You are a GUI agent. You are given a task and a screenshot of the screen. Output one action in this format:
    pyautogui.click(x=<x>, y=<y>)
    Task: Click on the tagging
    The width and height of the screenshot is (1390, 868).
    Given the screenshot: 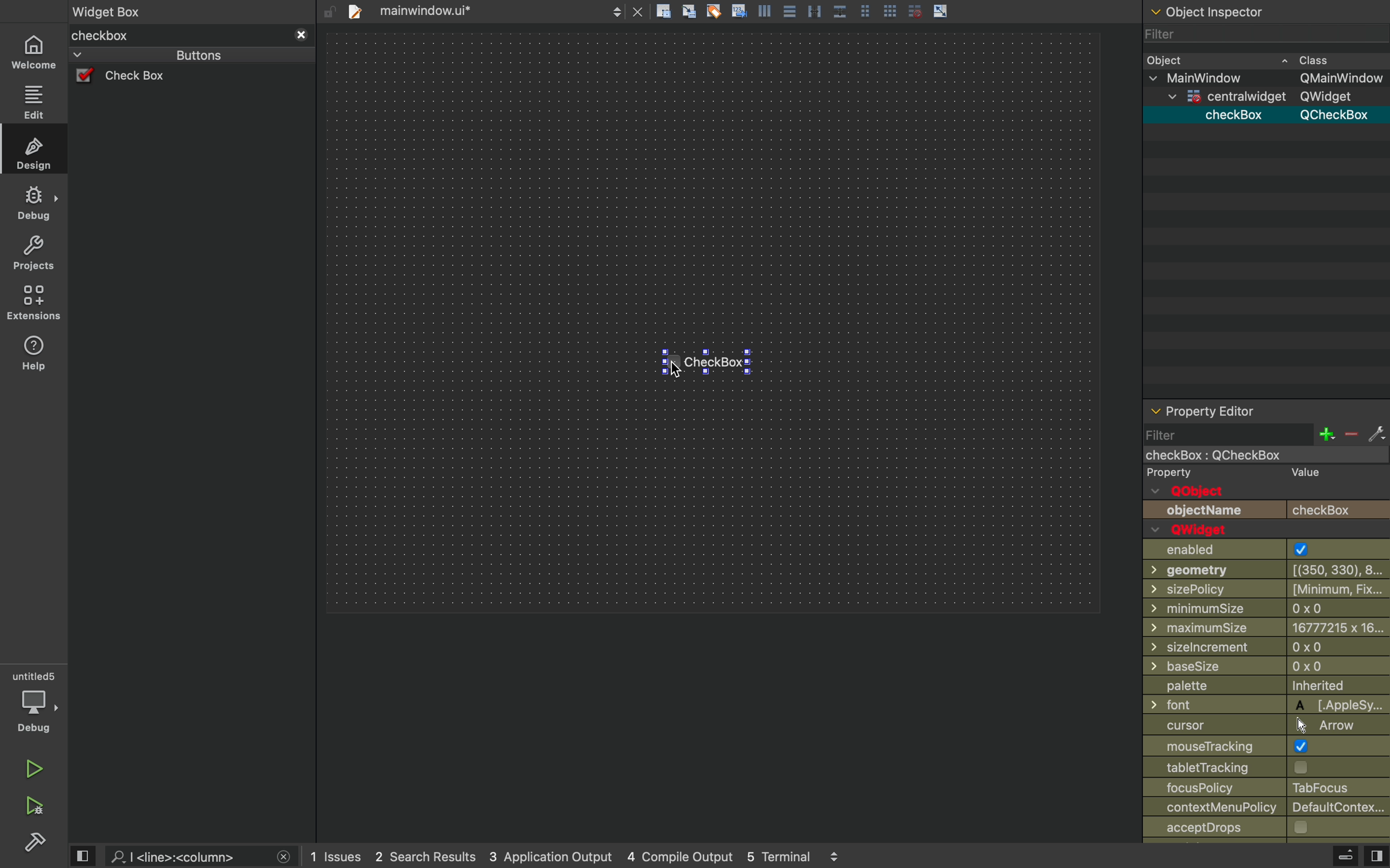 What is the action you would take?
    pyautogui.click(x=713, y=10)
    